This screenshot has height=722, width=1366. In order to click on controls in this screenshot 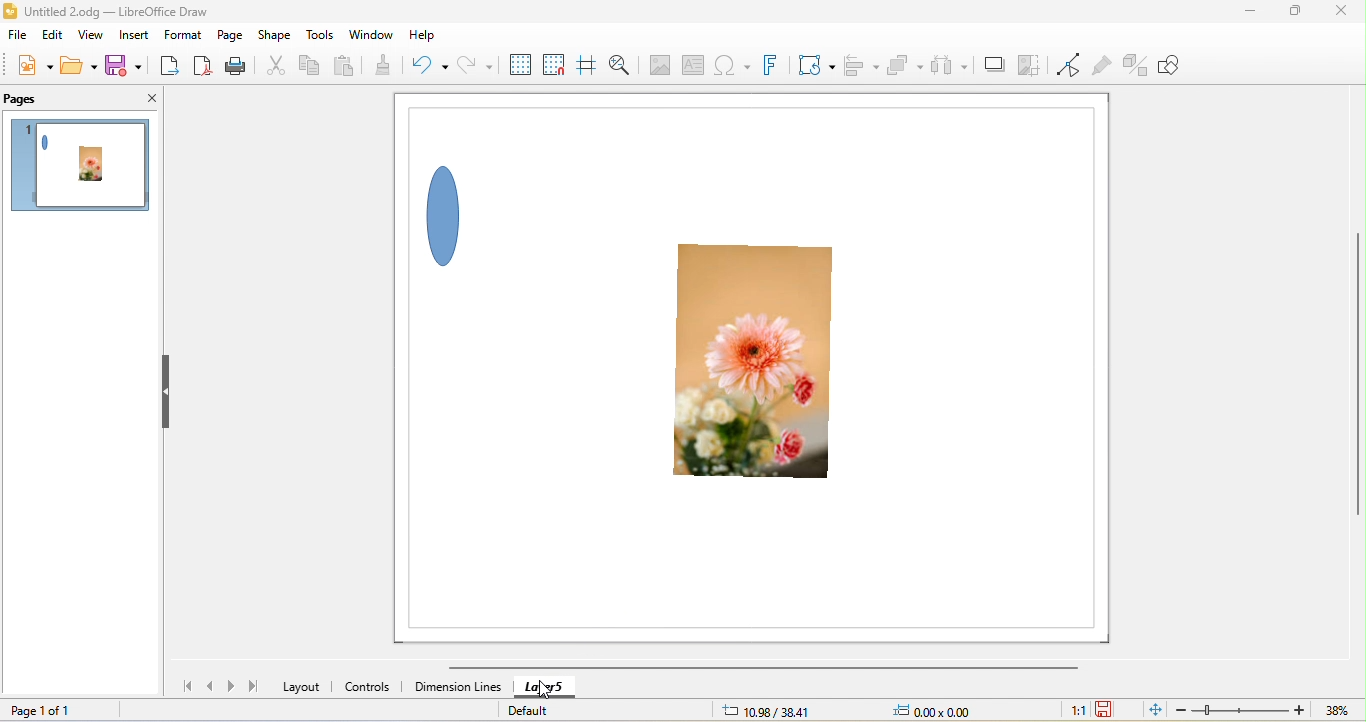, I will do `click(370, 688)`.